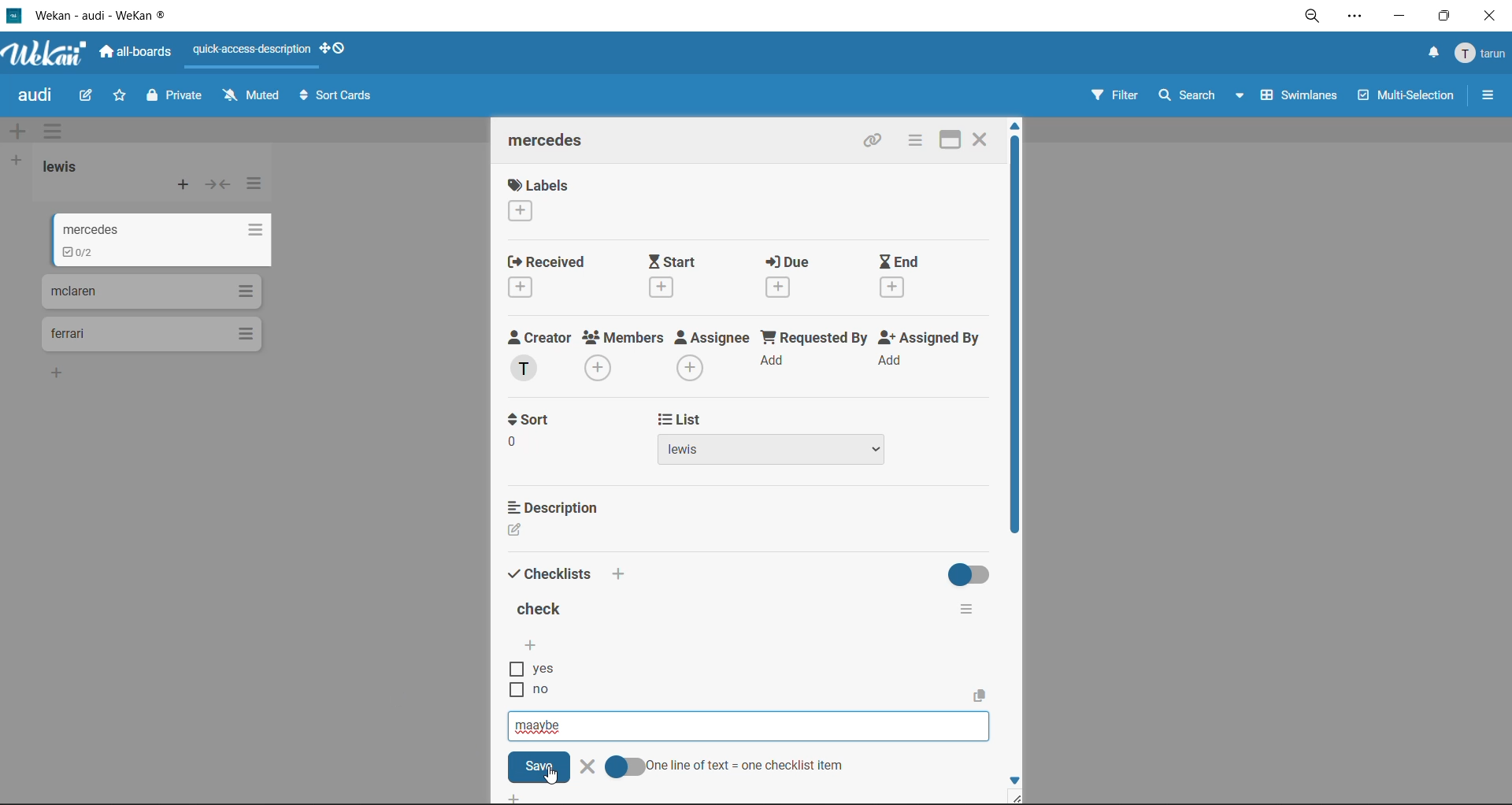  Describe the element at coordinates (600, 369) in the screenshot. I see `Add Member` at that location.